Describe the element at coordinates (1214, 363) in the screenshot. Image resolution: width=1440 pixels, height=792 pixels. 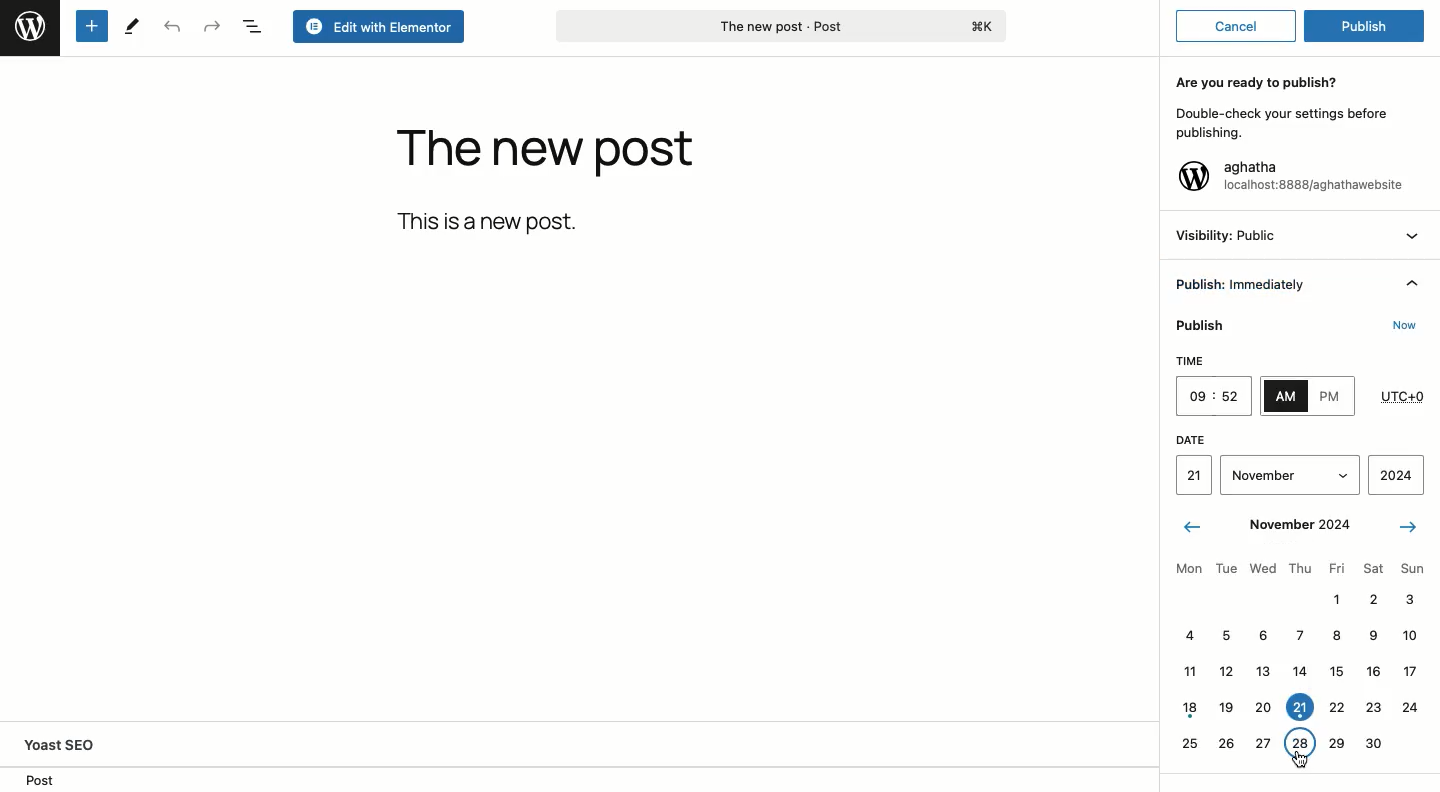
I see `Time` at that location.